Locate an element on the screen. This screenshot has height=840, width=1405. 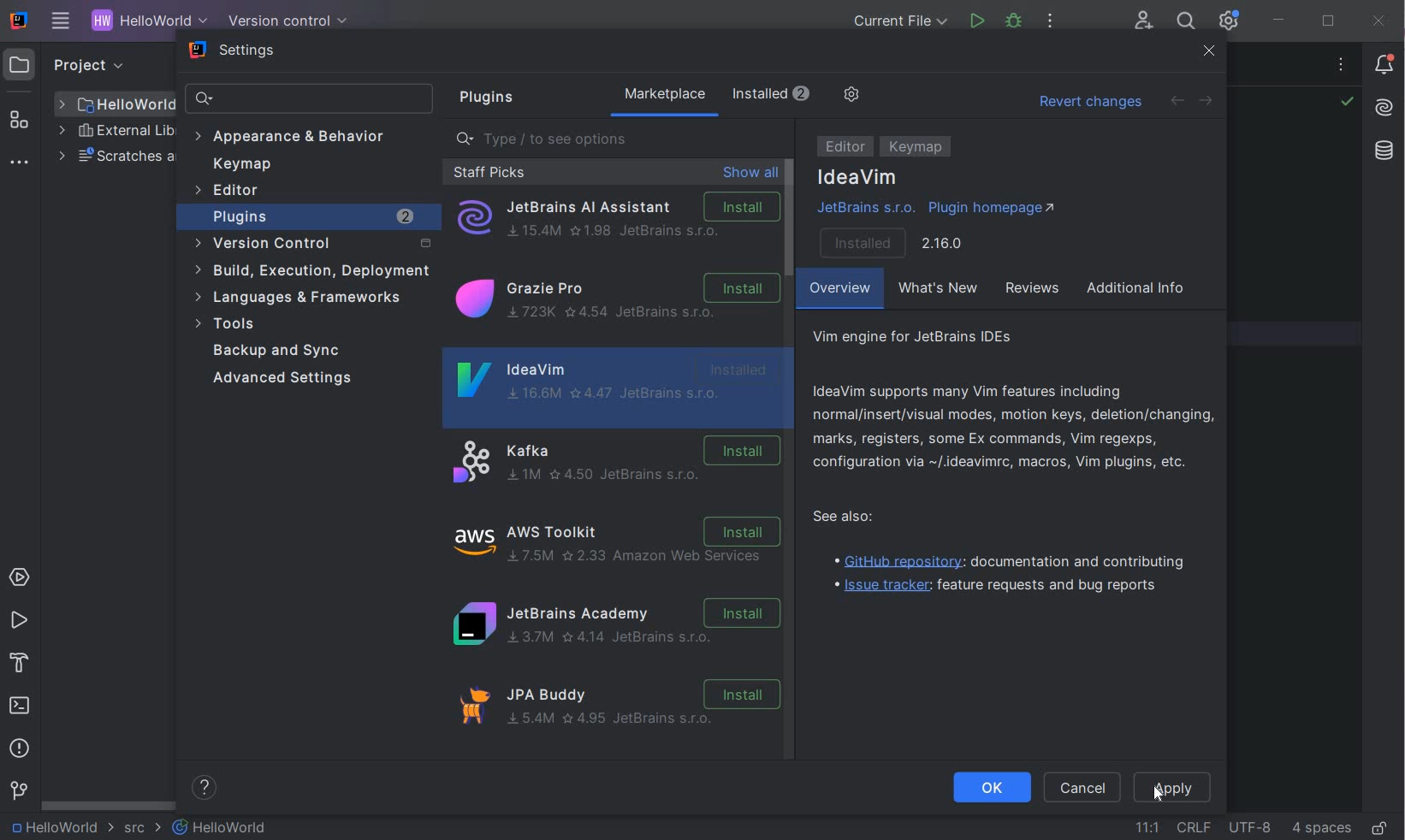
editor is located at coordinates (230, 192).